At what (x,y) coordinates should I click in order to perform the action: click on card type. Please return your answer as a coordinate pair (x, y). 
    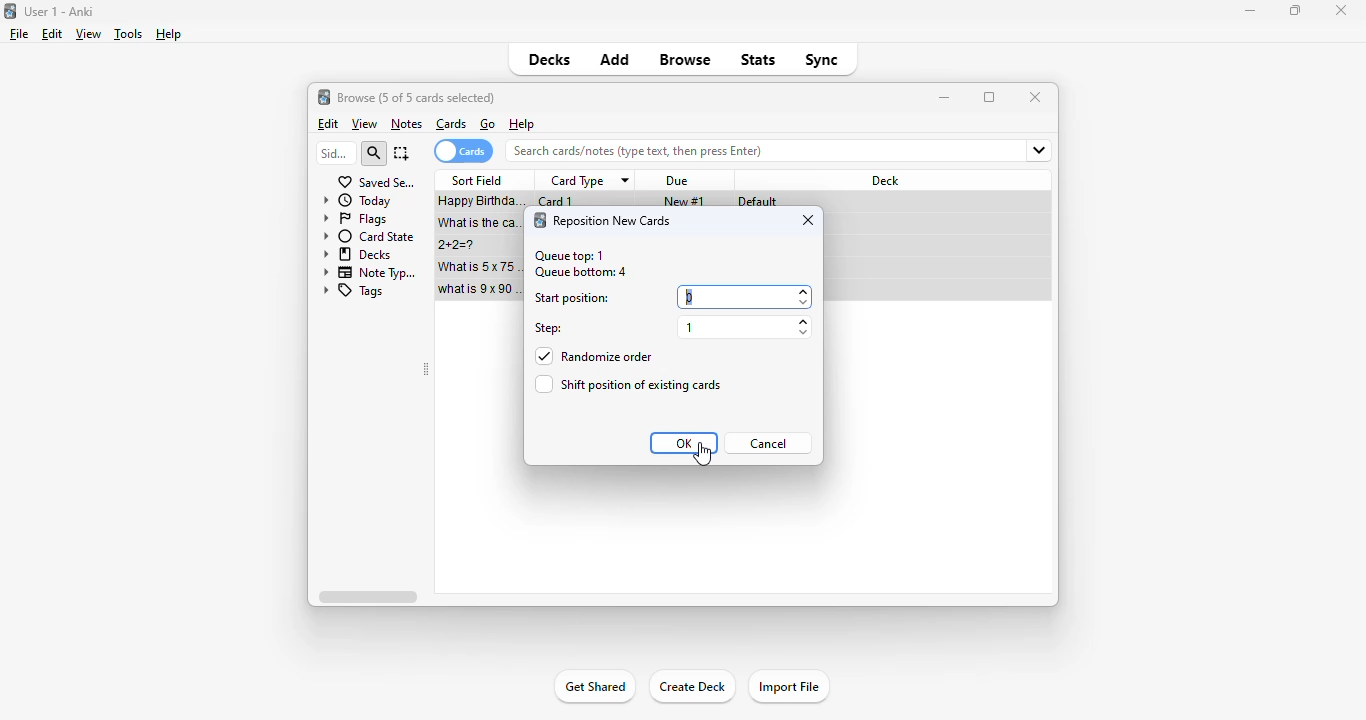
    Looking at the image, I should click on (588, 181).